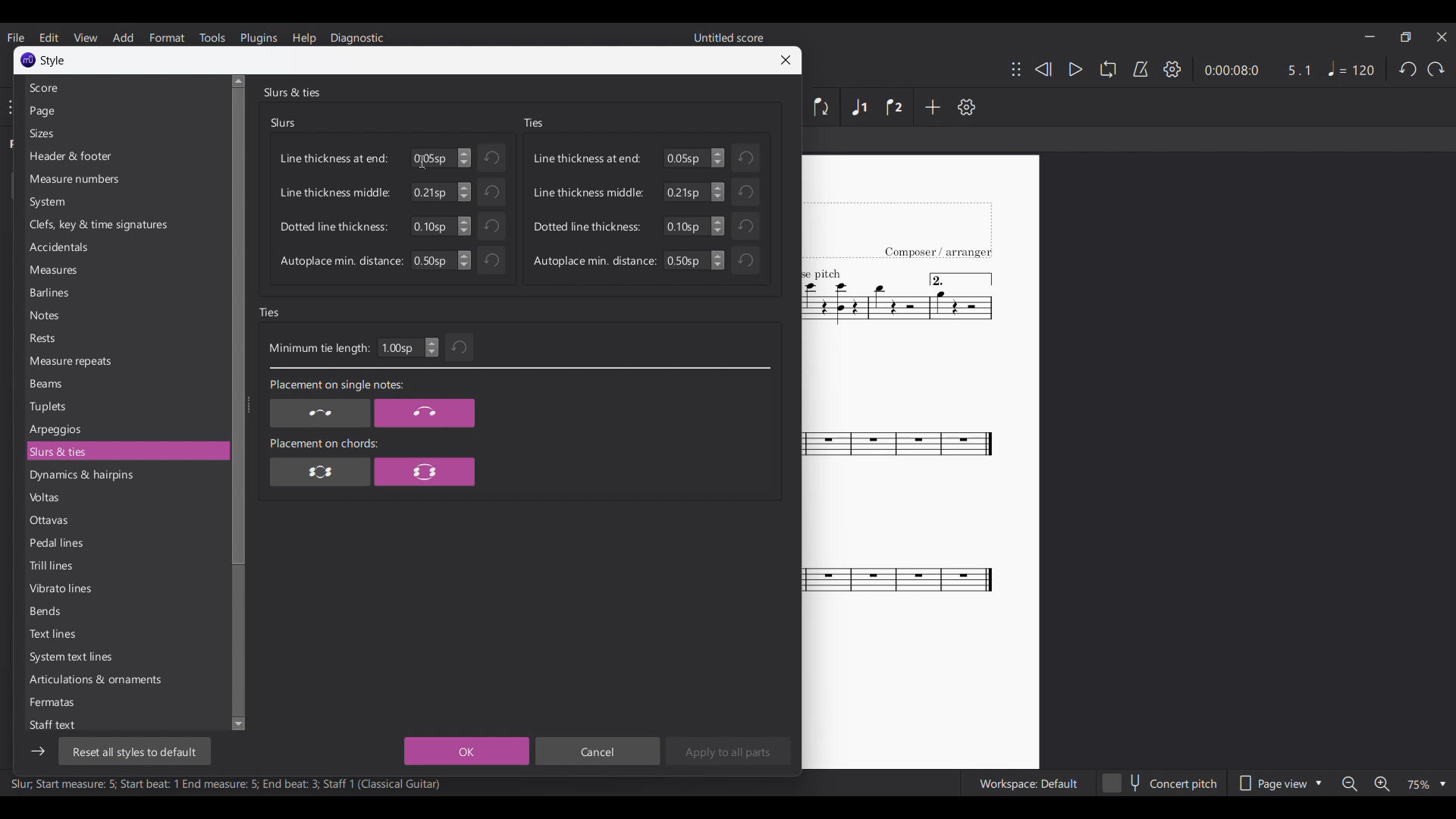  What do you see at coordinates (431, 226) in the screenshot?
I see `Manually input dotted line thickness` at bounding box center [431, 226].